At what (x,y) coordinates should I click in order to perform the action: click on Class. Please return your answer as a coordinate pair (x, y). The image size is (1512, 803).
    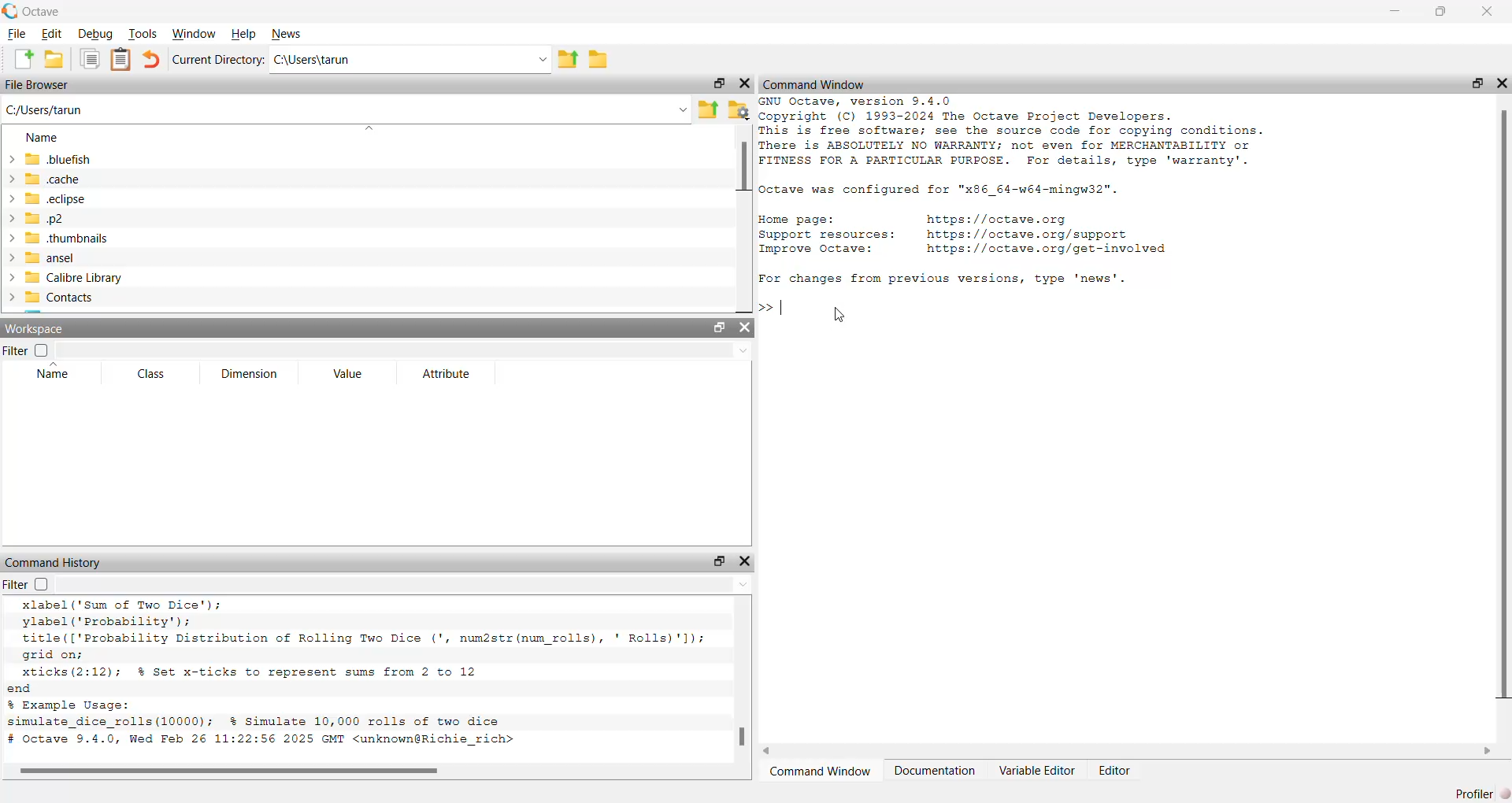
    Looking at the image, I should click on (151, 375).